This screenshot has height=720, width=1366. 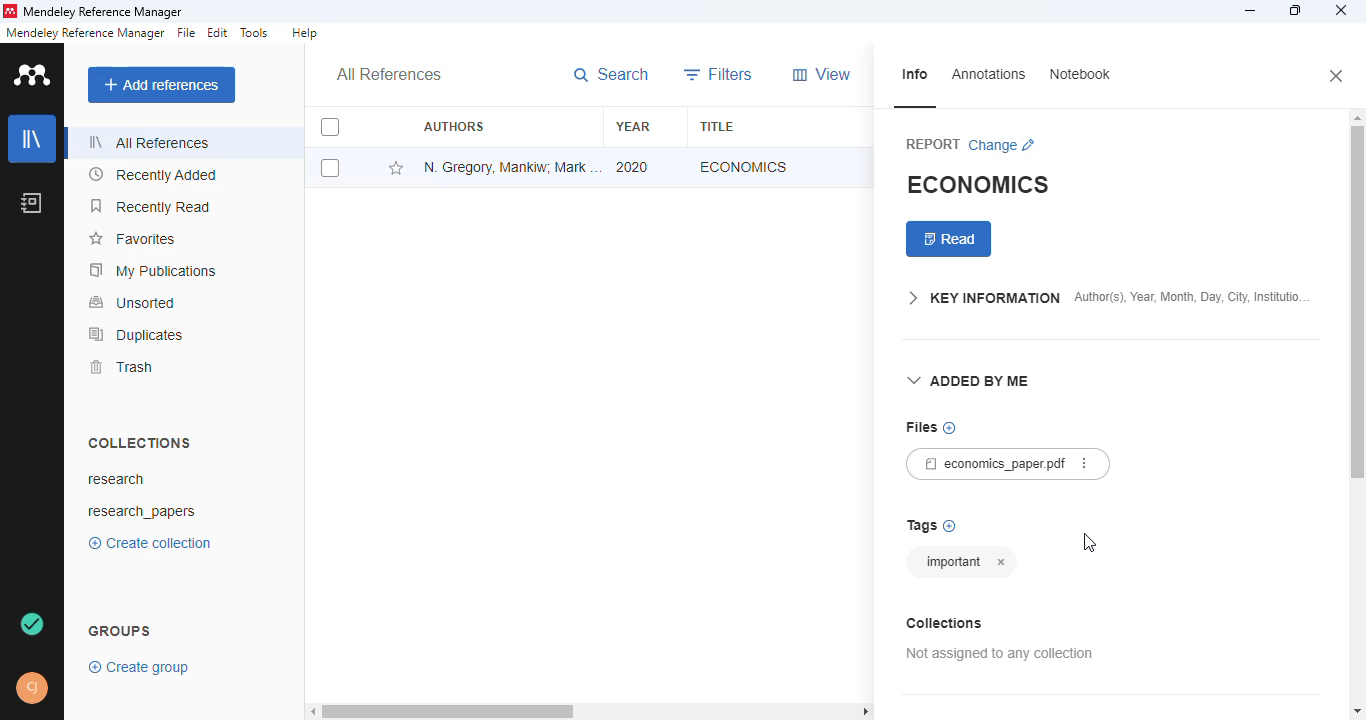 I want to click on add references, so click(x=162, y=84).